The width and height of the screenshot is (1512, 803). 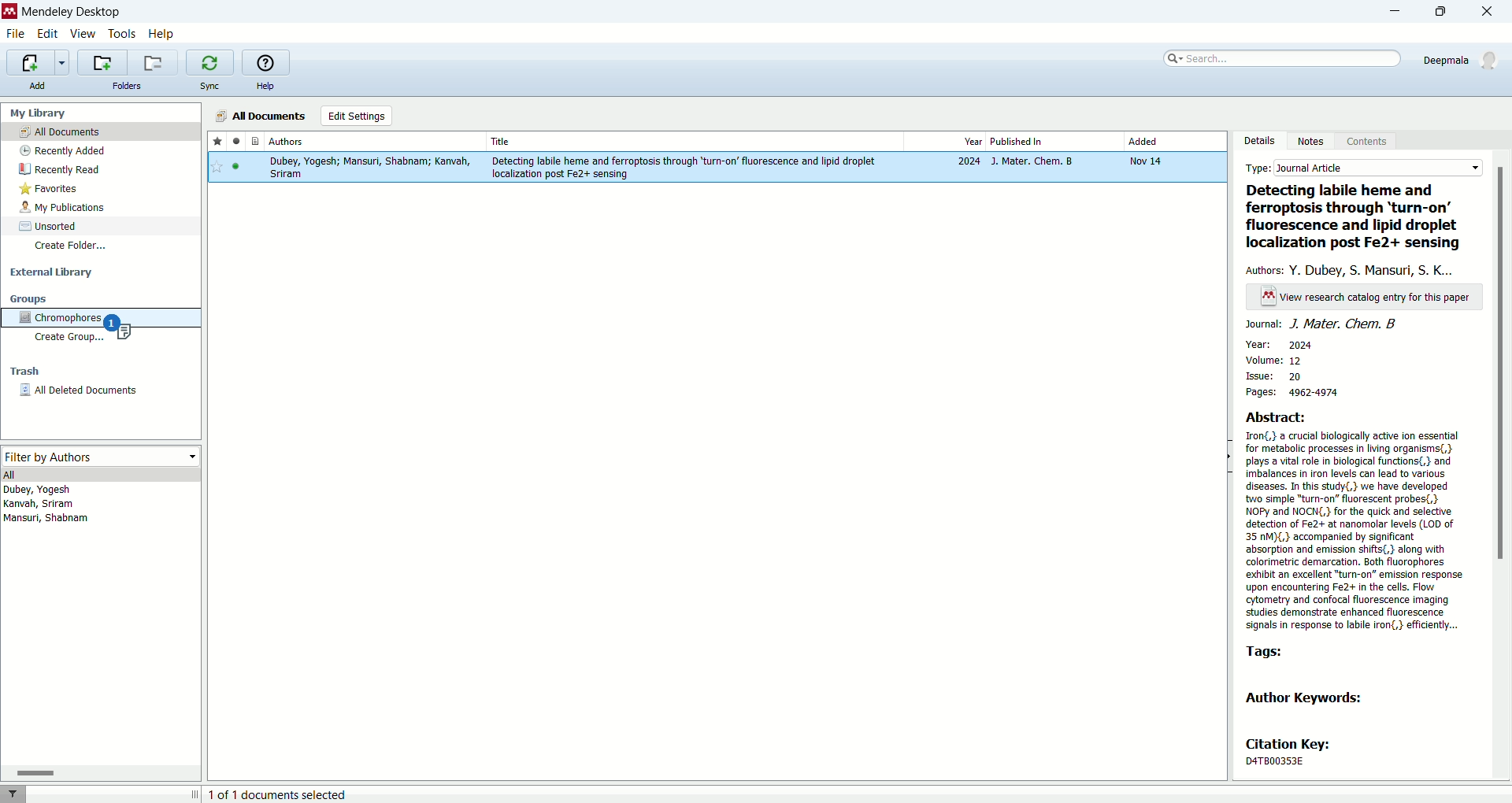 What do you see at coordinates (1365, 169) in the screenshot?
I see `type` at bounding box center [1365, 169].